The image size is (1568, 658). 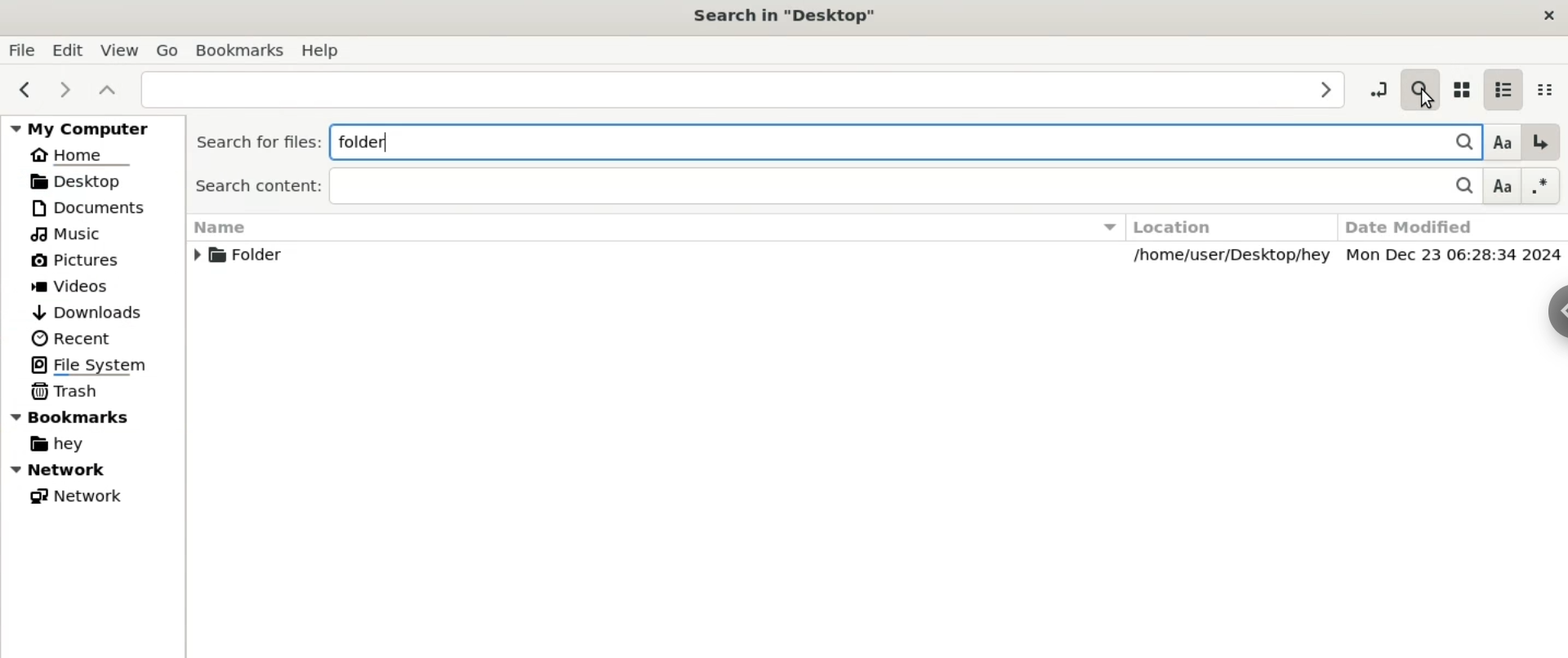 What do you see at coordinates (90, 207) in the screenshot?
I see `Documents` at bounding box center [90, 207].